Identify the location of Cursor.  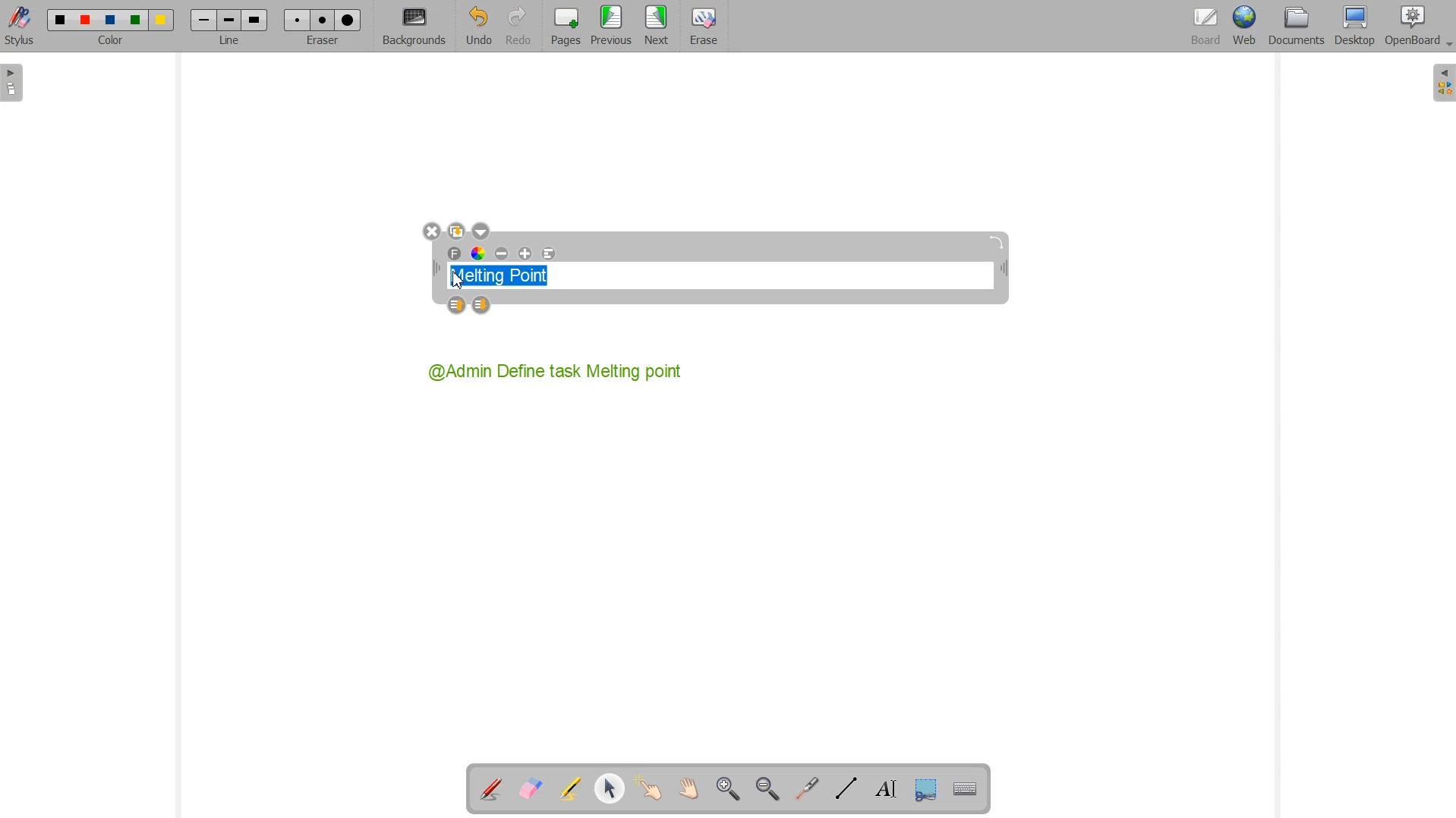
(459, 280).